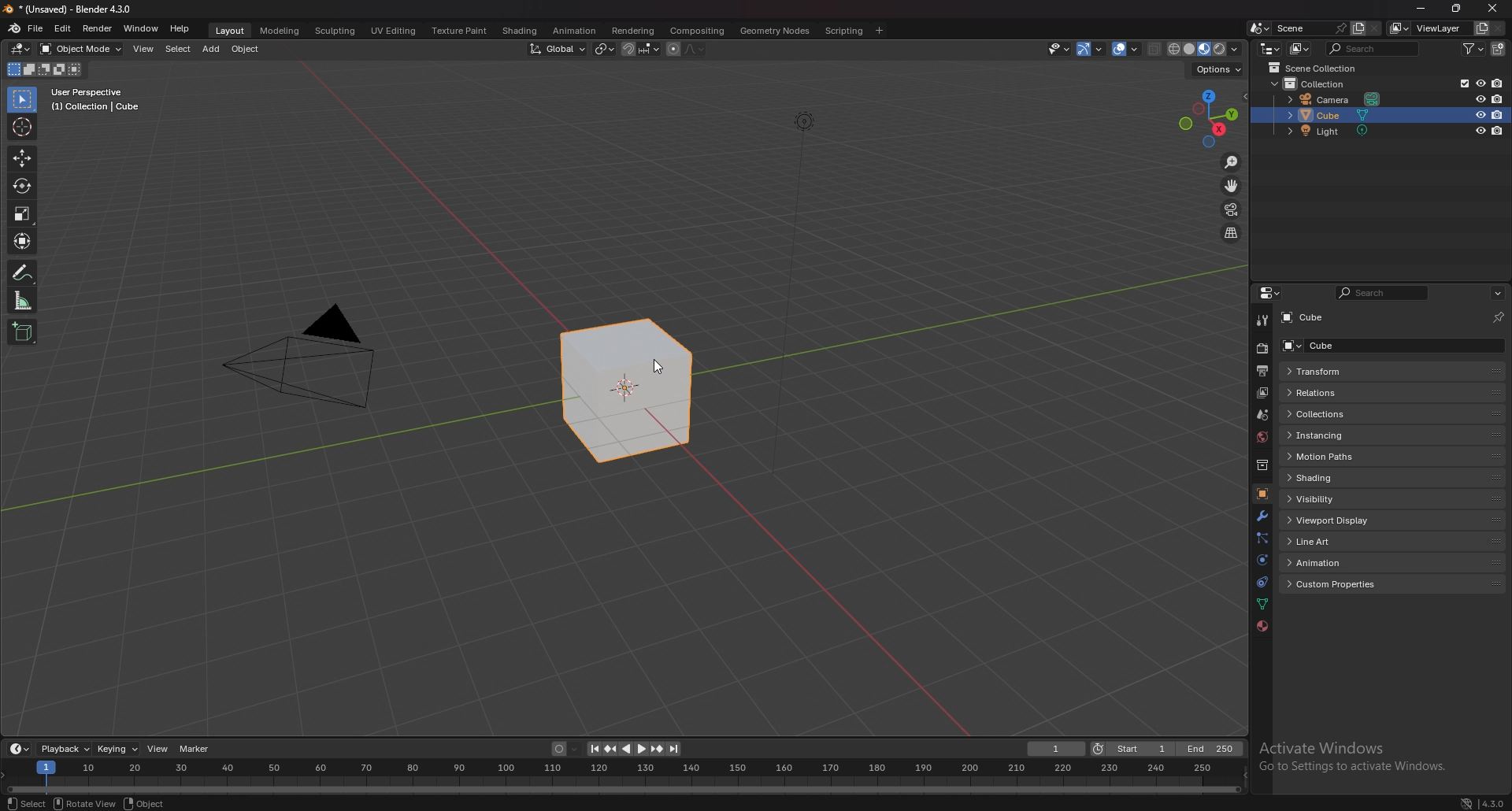  Describe the element at coordinates (63, 28) in the screenshot. I see `edit` at that location.